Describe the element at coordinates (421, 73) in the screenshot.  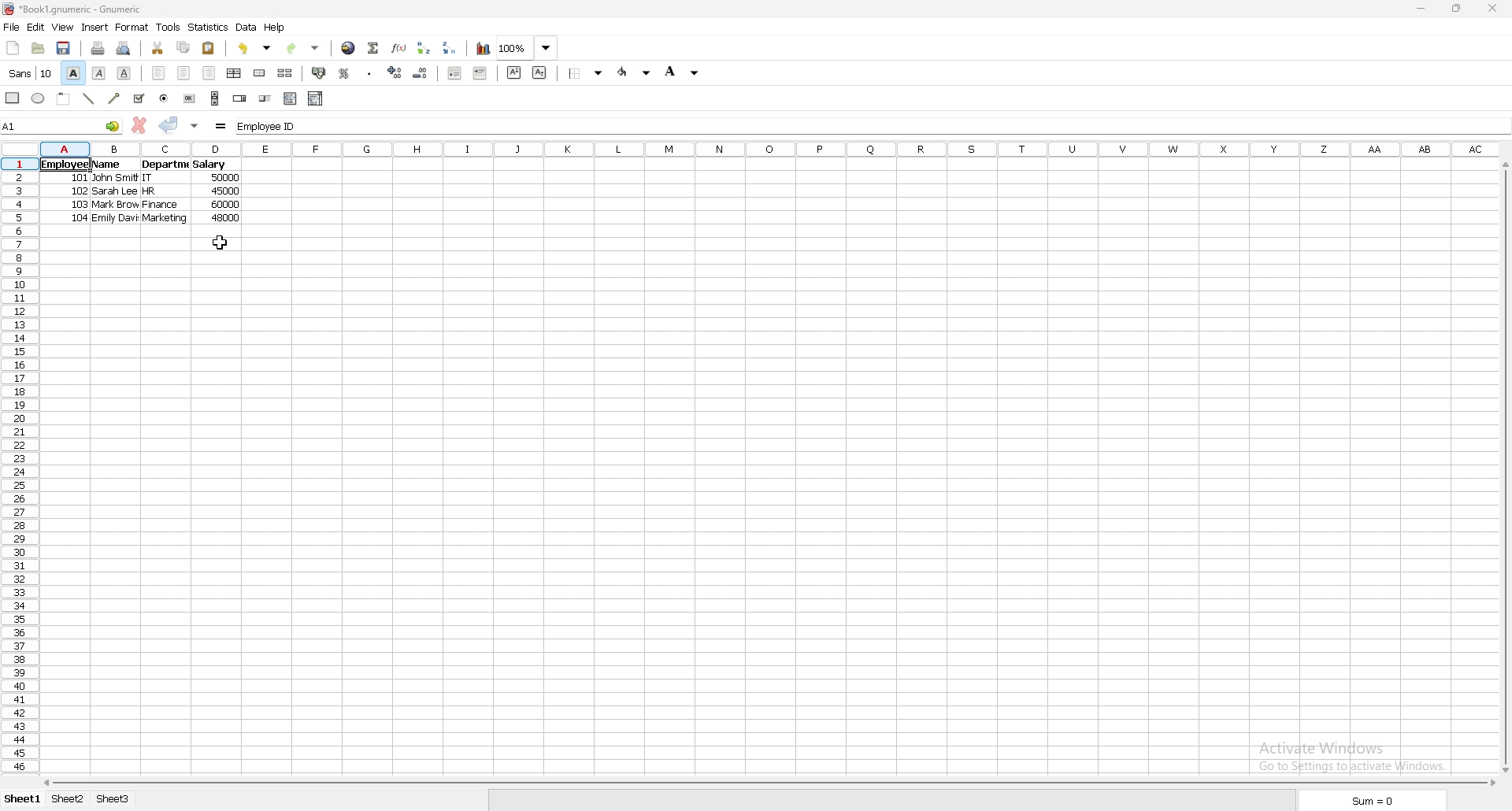
I see `decrease decimal` at that location.